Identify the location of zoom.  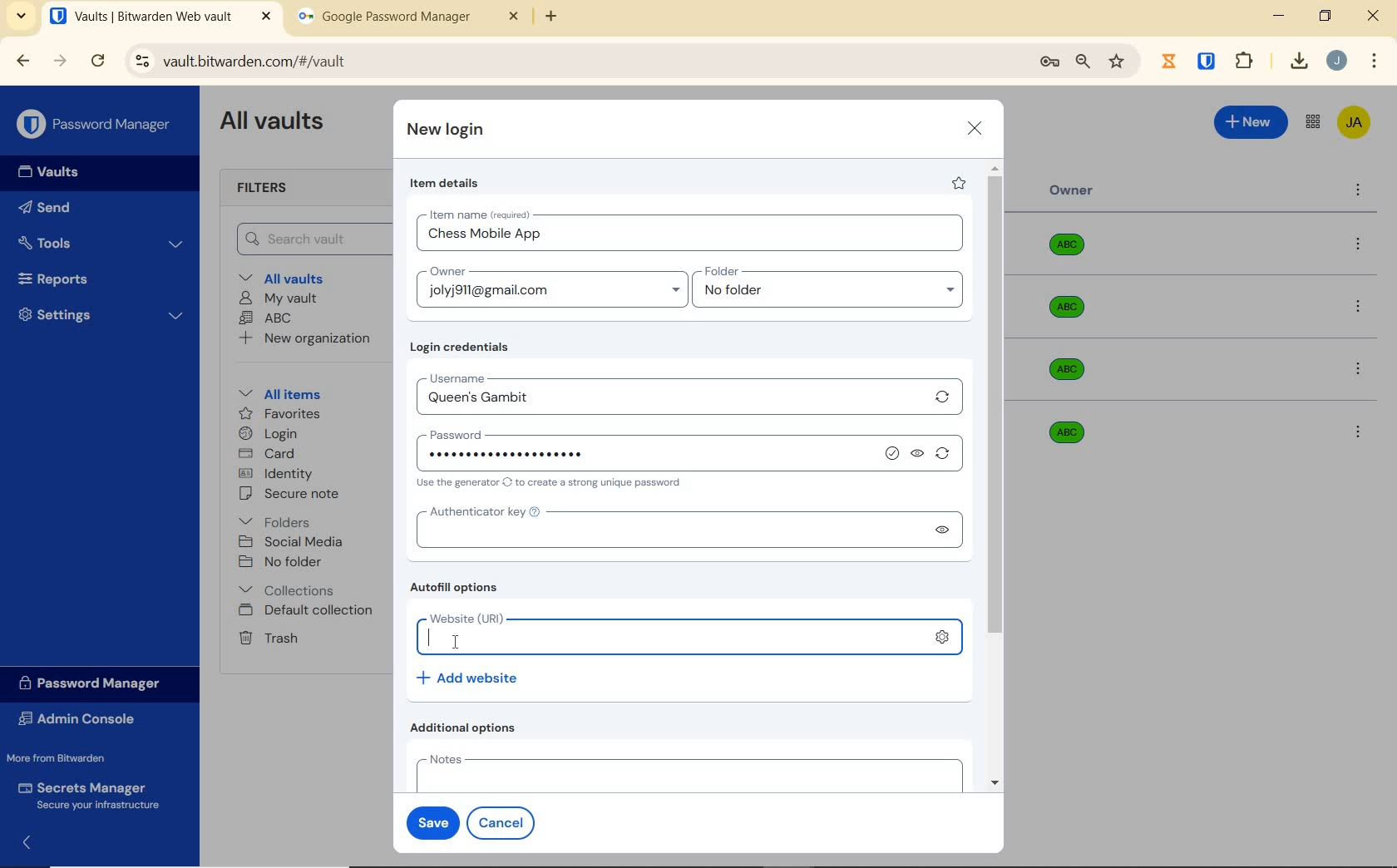
(1082, 62).